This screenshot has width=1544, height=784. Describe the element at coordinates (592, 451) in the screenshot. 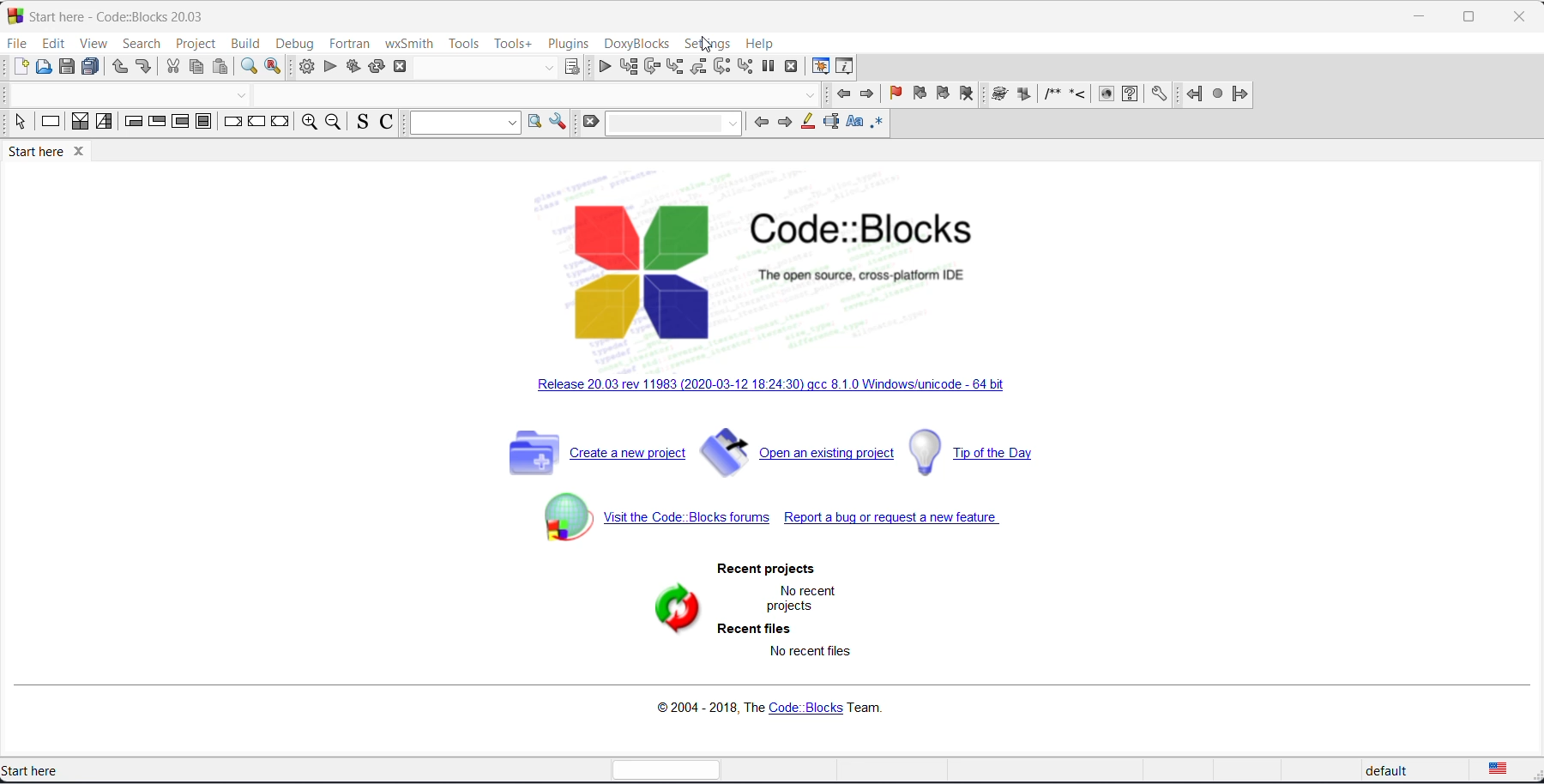

I see `create new project` at that location.